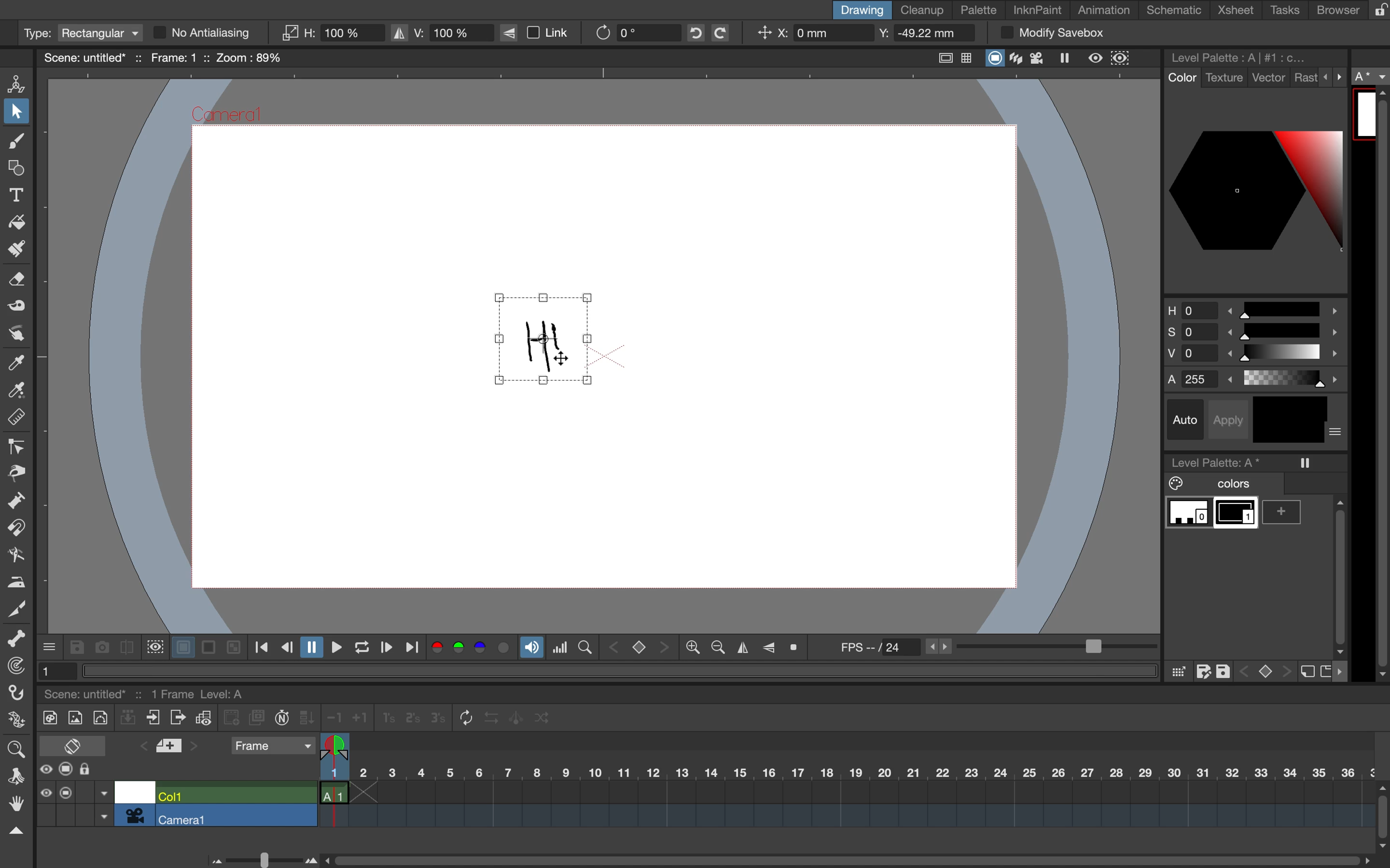 The height and width of the screenshot is (868, 1390). Describe the element at coordinates (1257, 356) in the screenshot. I see `brightness` at that location.